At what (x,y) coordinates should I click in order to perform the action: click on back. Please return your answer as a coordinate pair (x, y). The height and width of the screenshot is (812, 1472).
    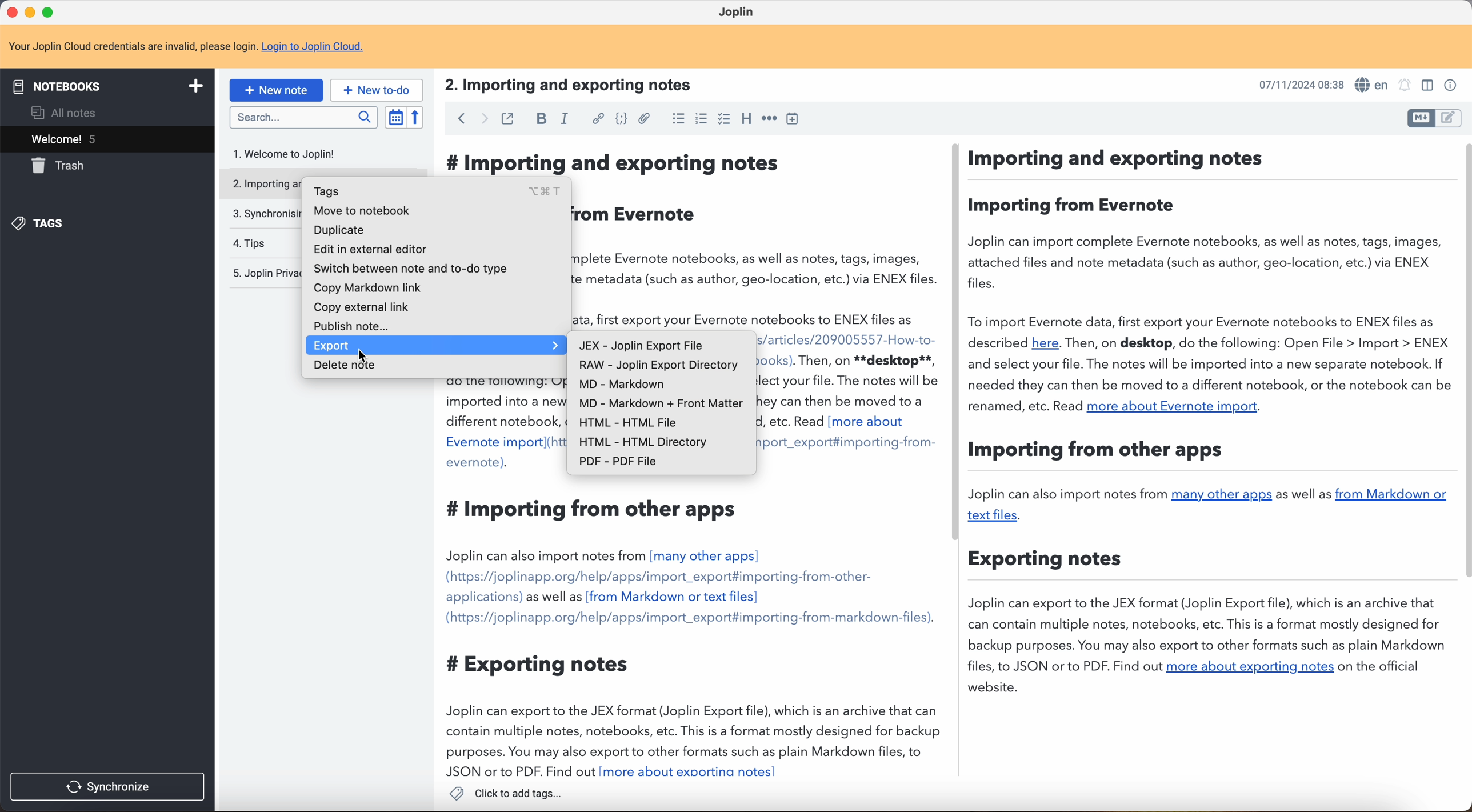
    Looking at the image, I should click on (458, 119).